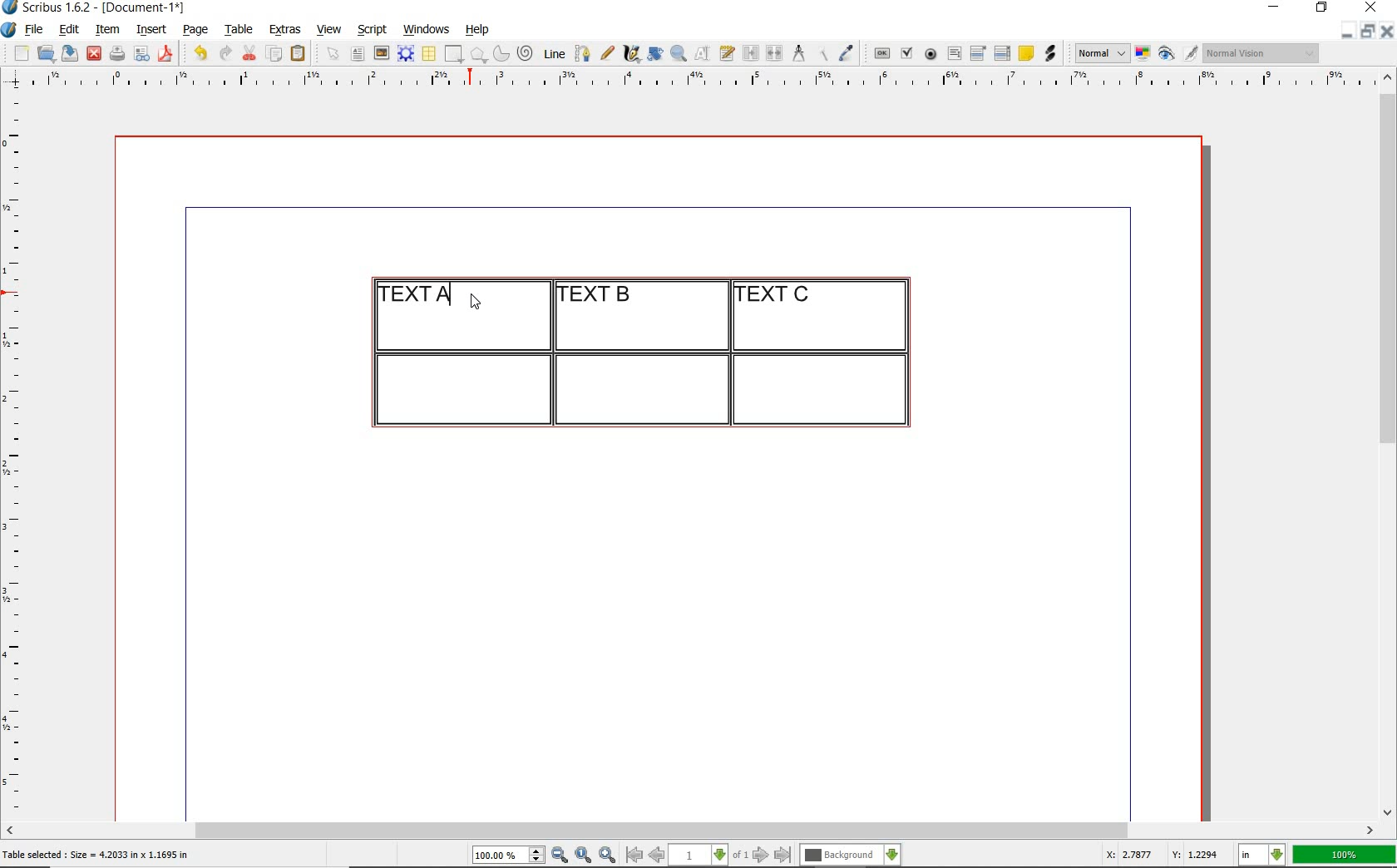 Image resolution: width=1397 pixels, height=868 pixels. What do you see at coordinates (656, 856) in the screenshot?
I see `go to previous page` at bounding box center [656, 856].